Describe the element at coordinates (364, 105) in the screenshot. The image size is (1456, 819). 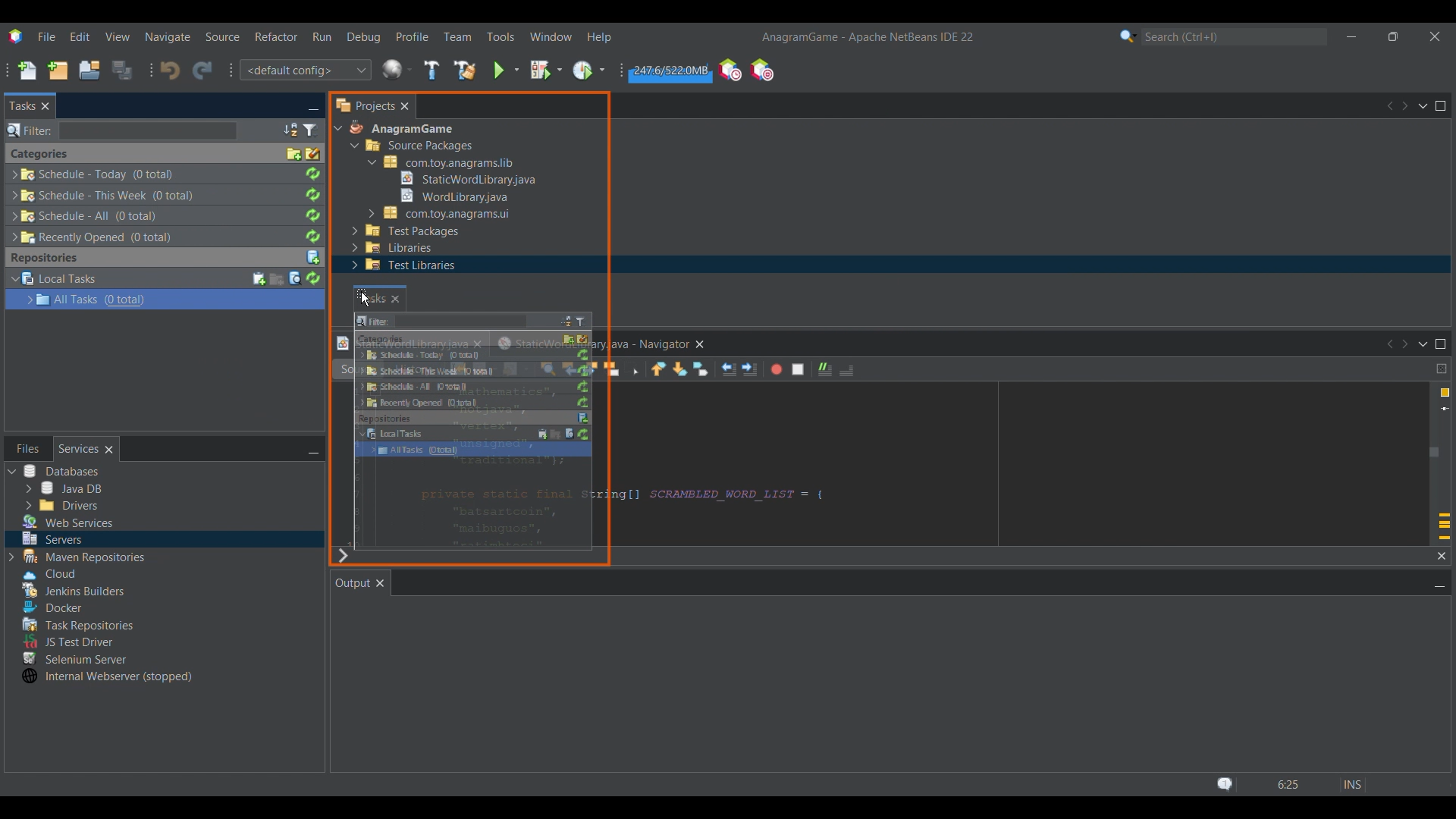
I see `Projects tab` at that location.